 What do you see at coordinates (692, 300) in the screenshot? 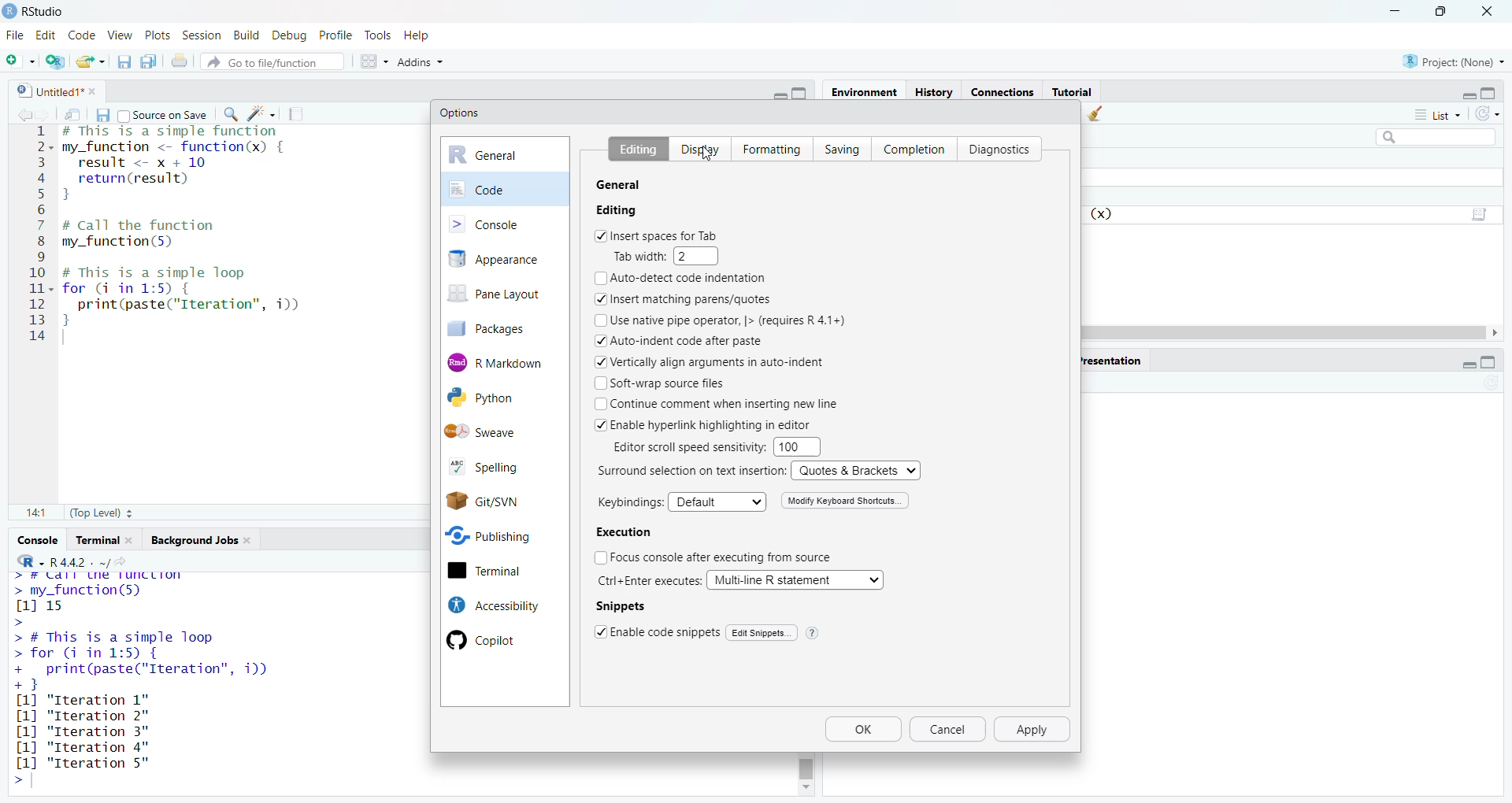
I see `Insert matching parens/quotes` at bounding box center [692, 300].